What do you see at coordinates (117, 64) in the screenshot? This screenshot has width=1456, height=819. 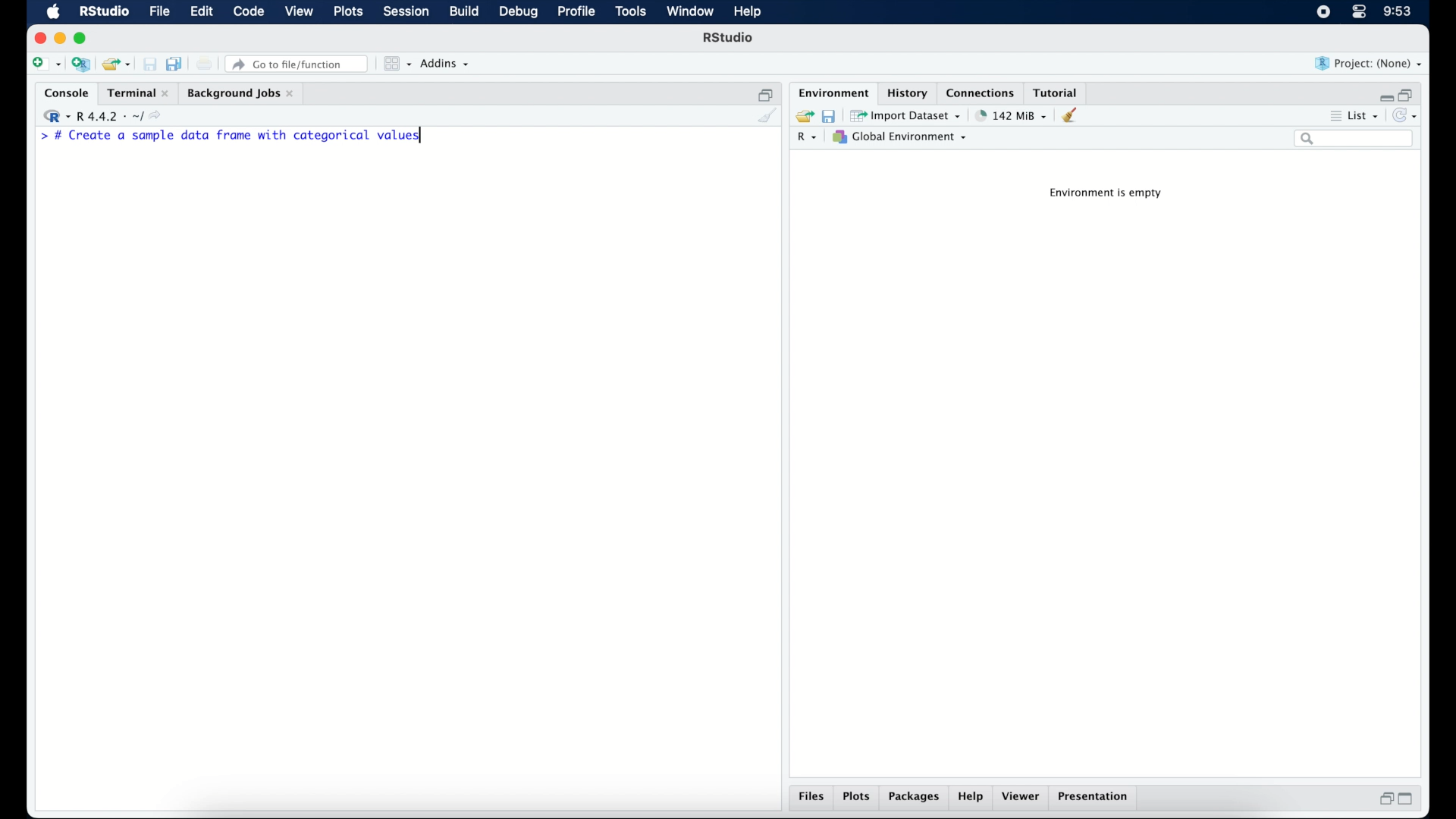 I see `open an existing project` at bounding box center [117, 64].